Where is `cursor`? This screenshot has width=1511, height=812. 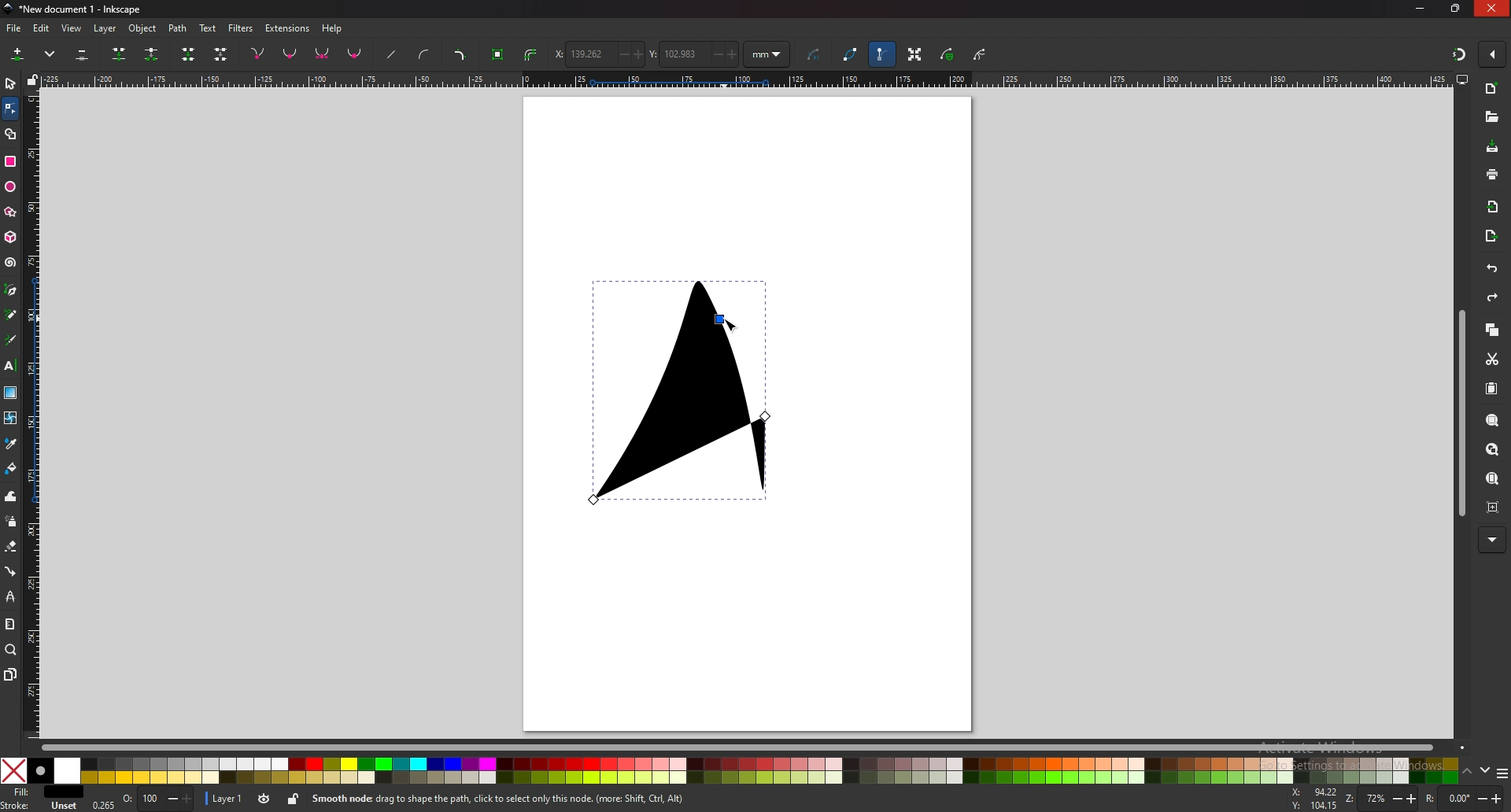
cursor is located at coordinates (726, 320).